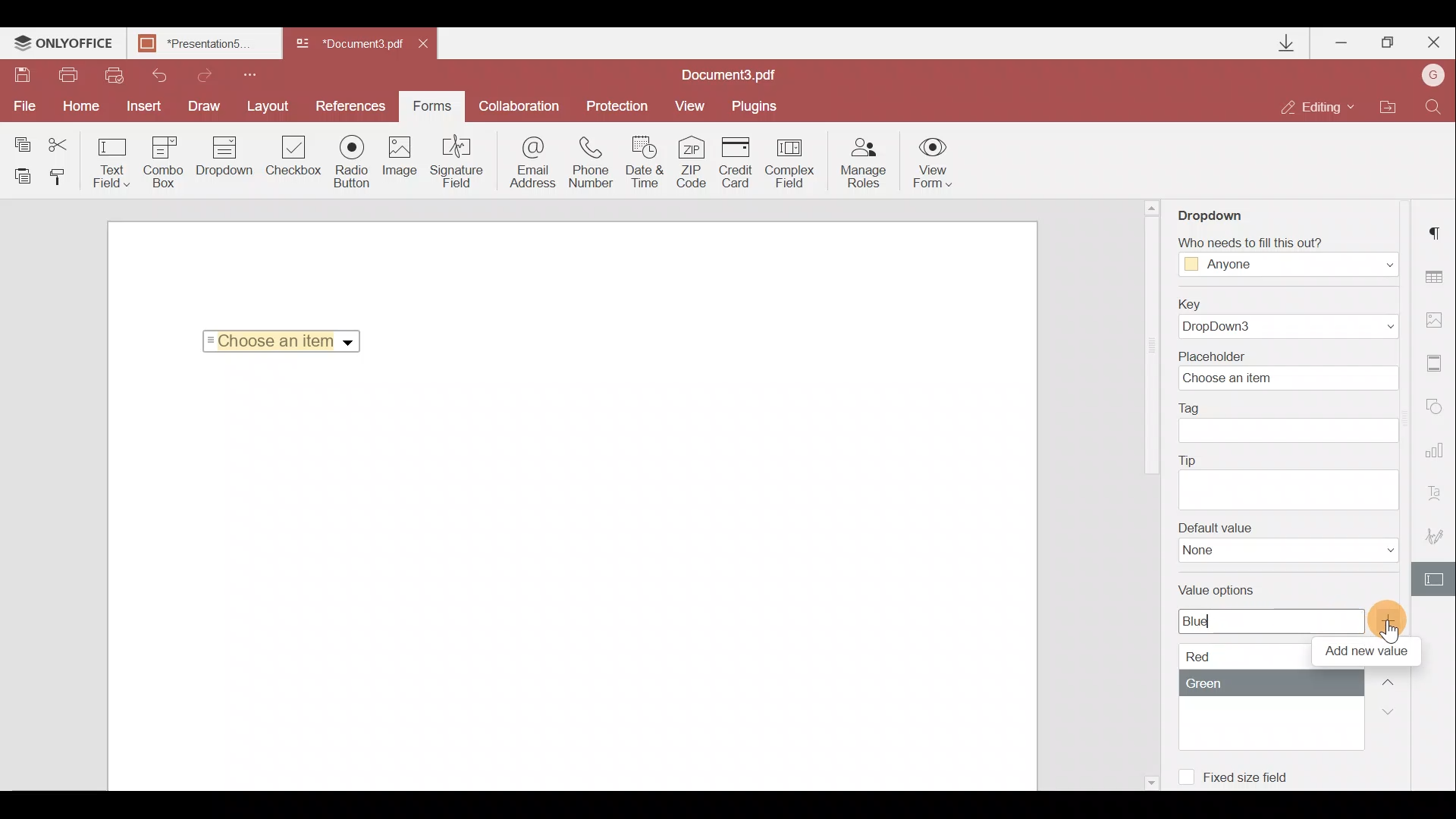 The height and width of the screenshot is (819, 1456). I want to click on Image, so click(403, 161).